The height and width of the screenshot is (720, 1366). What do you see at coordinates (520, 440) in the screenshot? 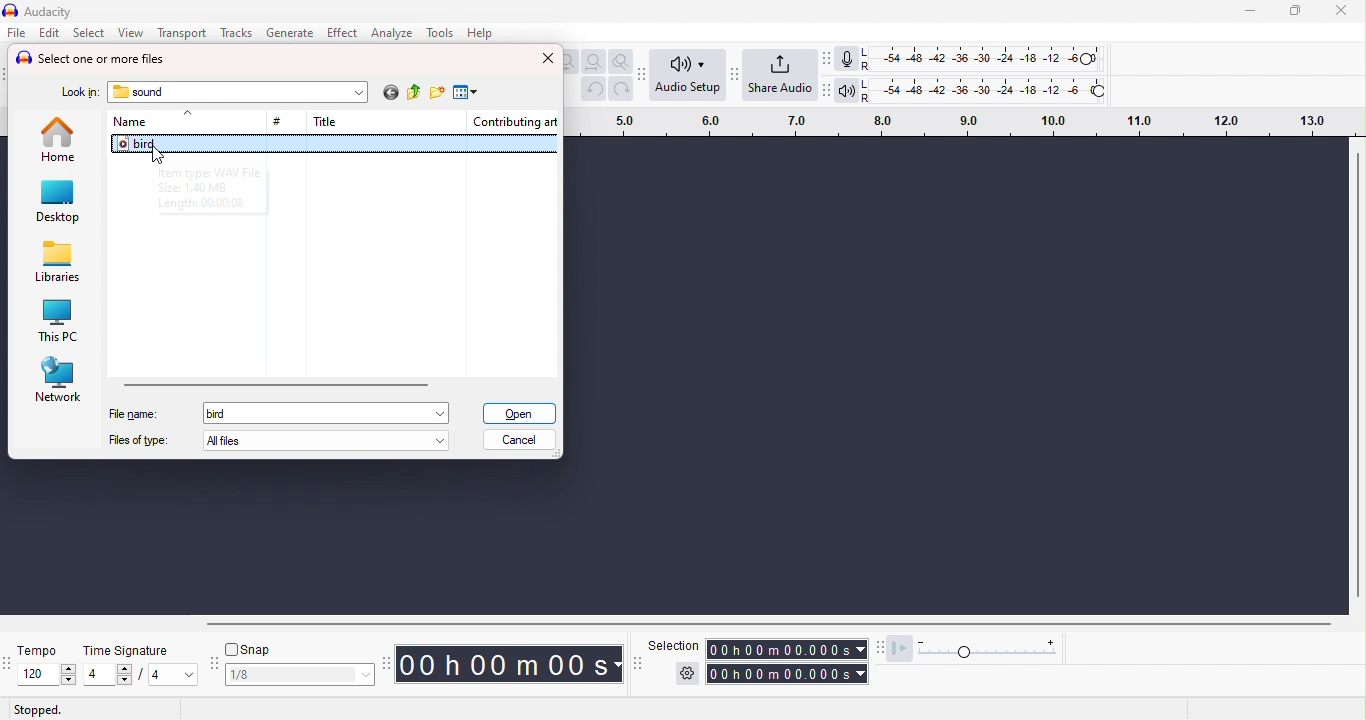
I see `cancel` at bounding box center [520, 440].